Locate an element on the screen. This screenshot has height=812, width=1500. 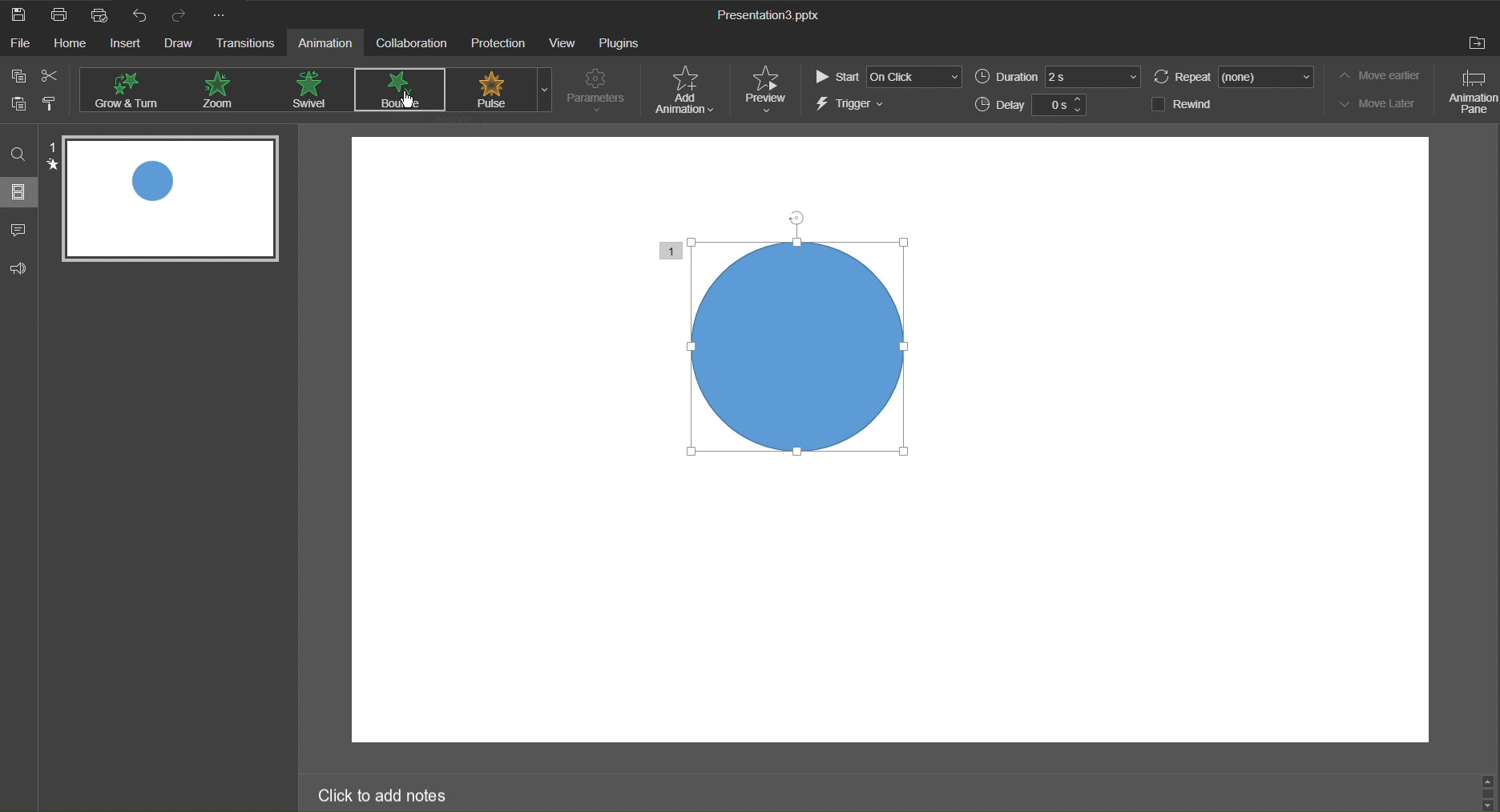
Duration: is located at coordinates (1006, 77).